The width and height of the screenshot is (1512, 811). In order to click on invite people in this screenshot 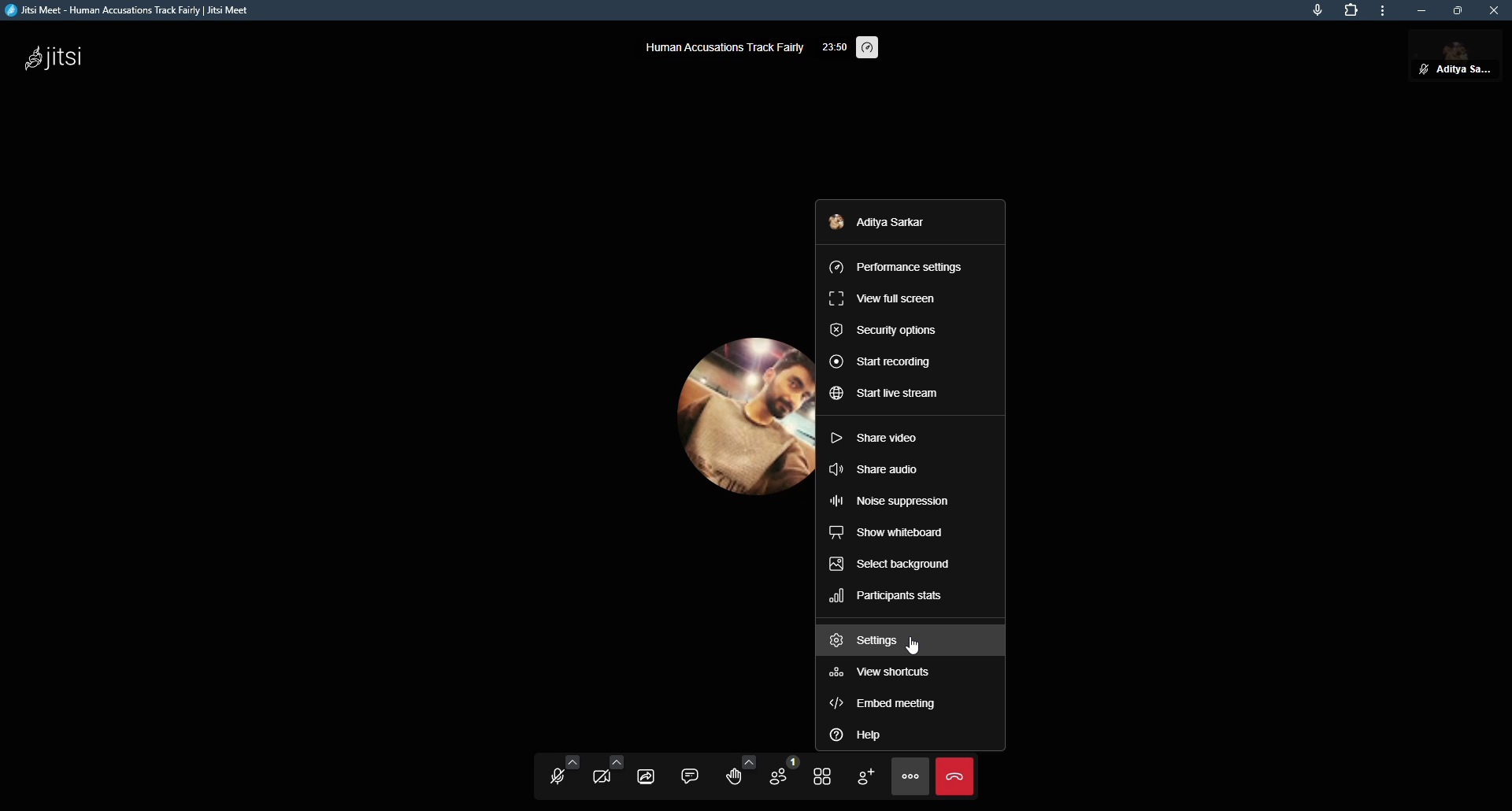, I will do `click(865, 776)`.